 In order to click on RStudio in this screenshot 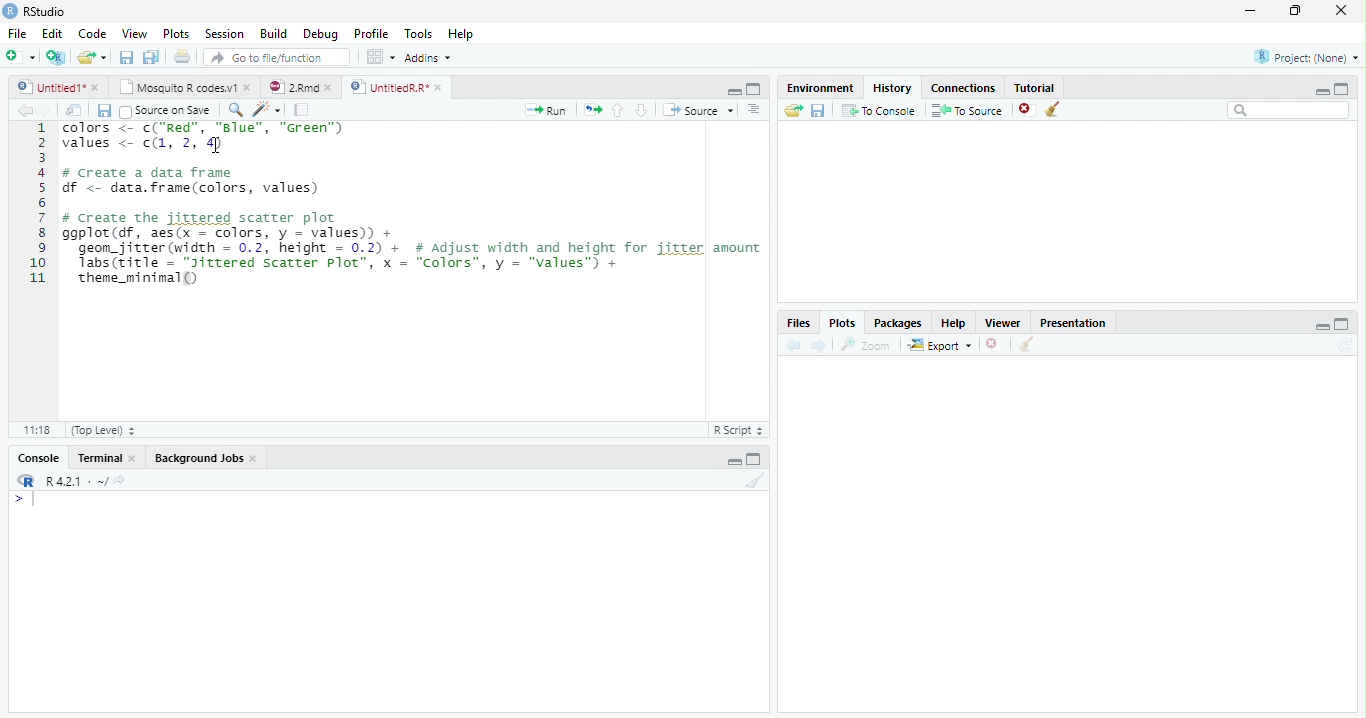, I will do `click(35, 12)`.